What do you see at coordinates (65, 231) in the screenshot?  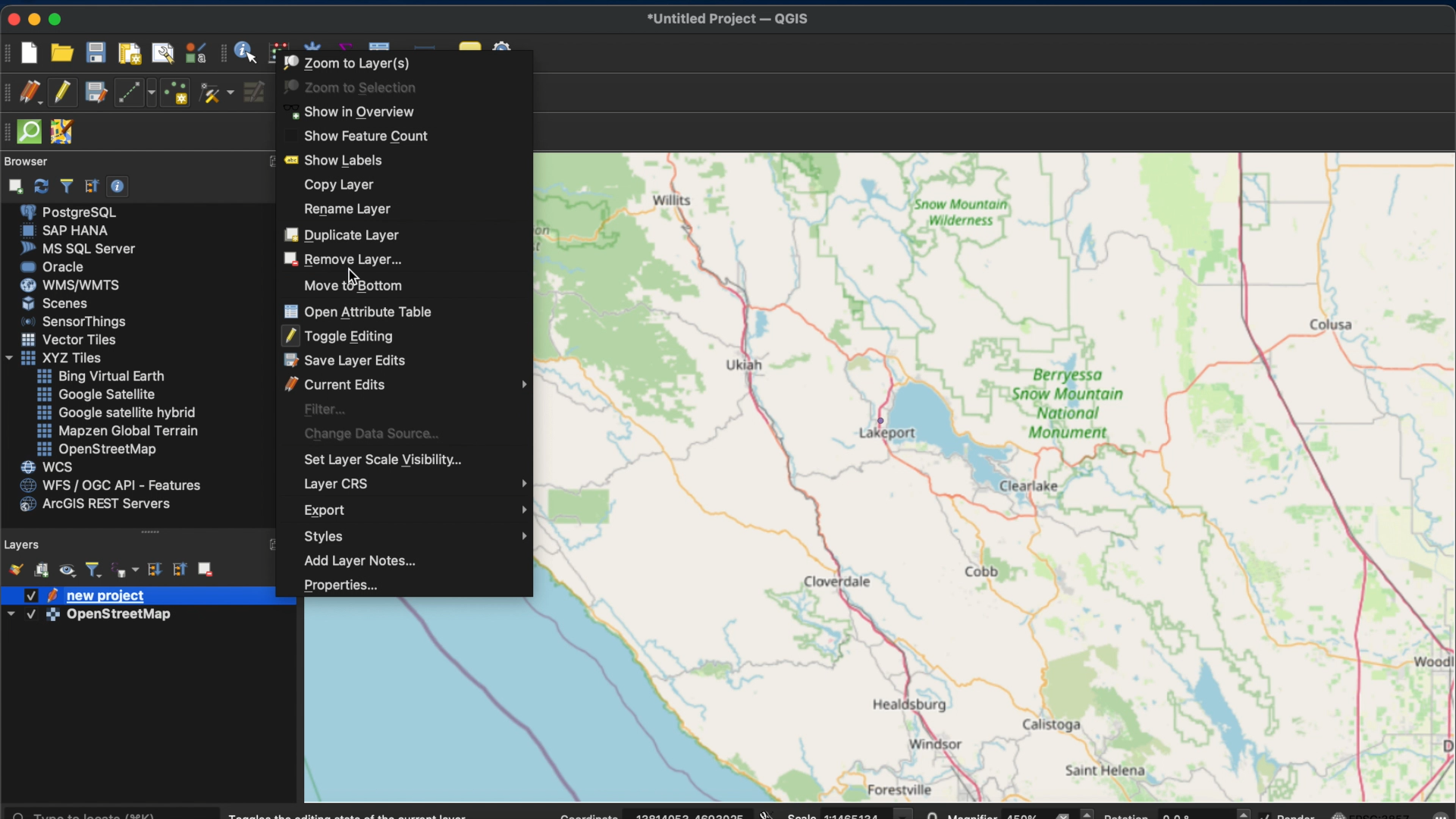 I see `sap hana` at bounding box center [65, 231].